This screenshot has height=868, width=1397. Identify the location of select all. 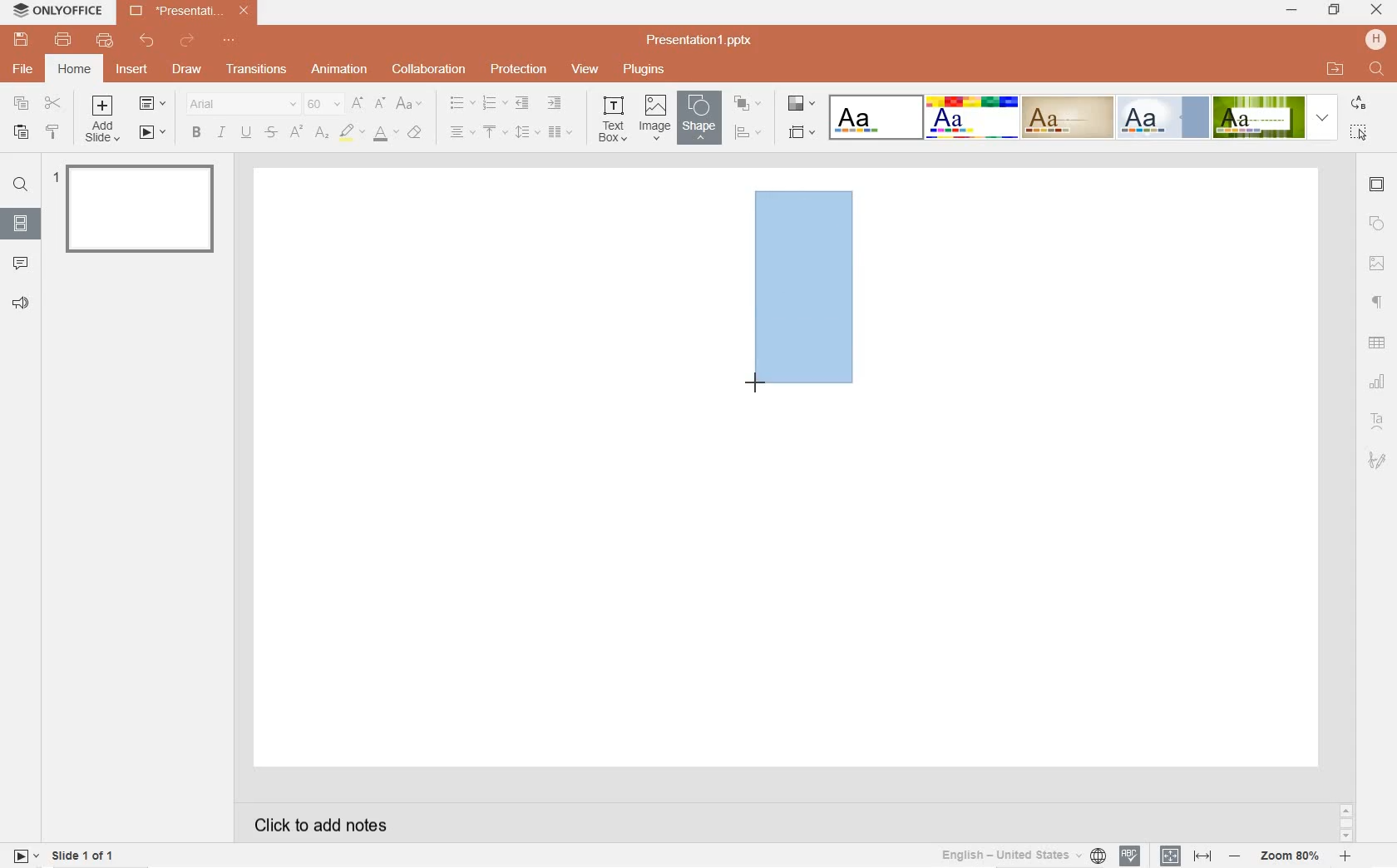
(1360, 132).